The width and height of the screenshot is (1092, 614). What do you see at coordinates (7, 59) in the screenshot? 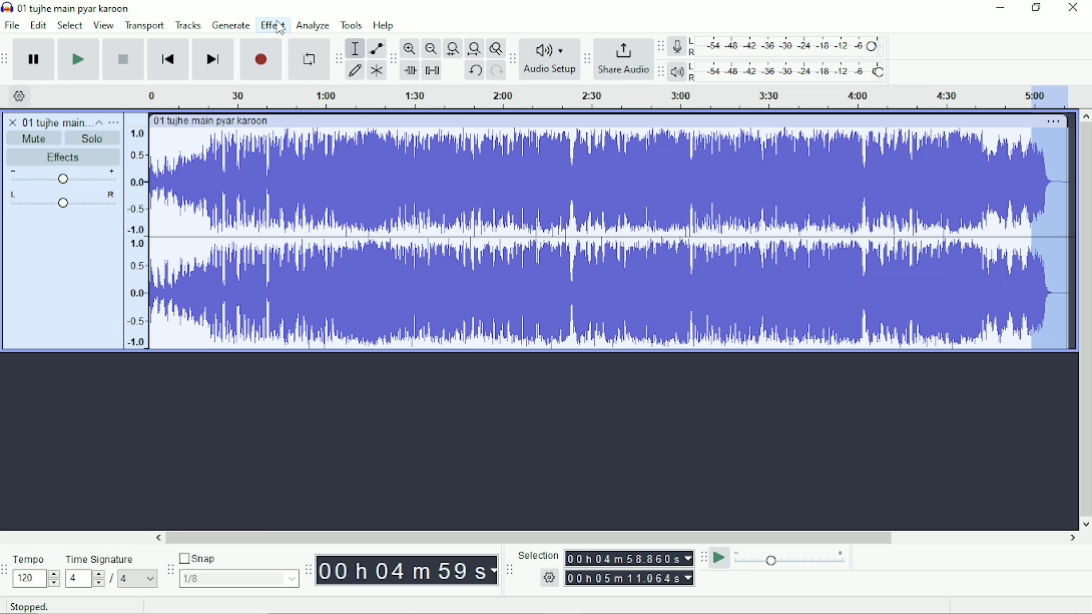
I see `Audacity transport toolbar` at bounding box center [7, 59].